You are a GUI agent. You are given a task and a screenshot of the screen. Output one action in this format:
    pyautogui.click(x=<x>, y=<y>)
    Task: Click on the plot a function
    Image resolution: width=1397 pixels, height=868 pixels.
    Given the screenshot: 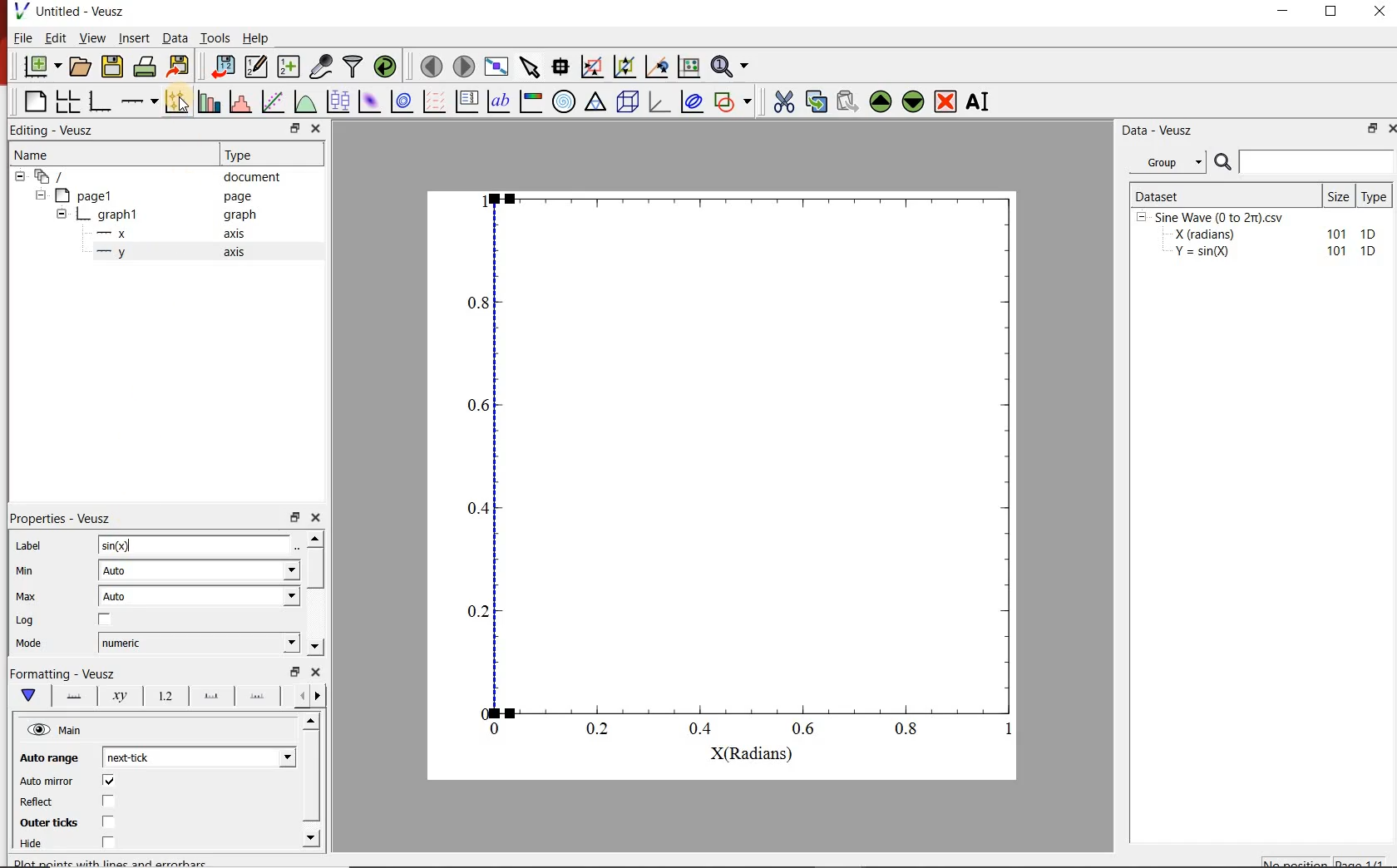 What is the action you would take?
    pyautogui.click(x=307, y=101)
    